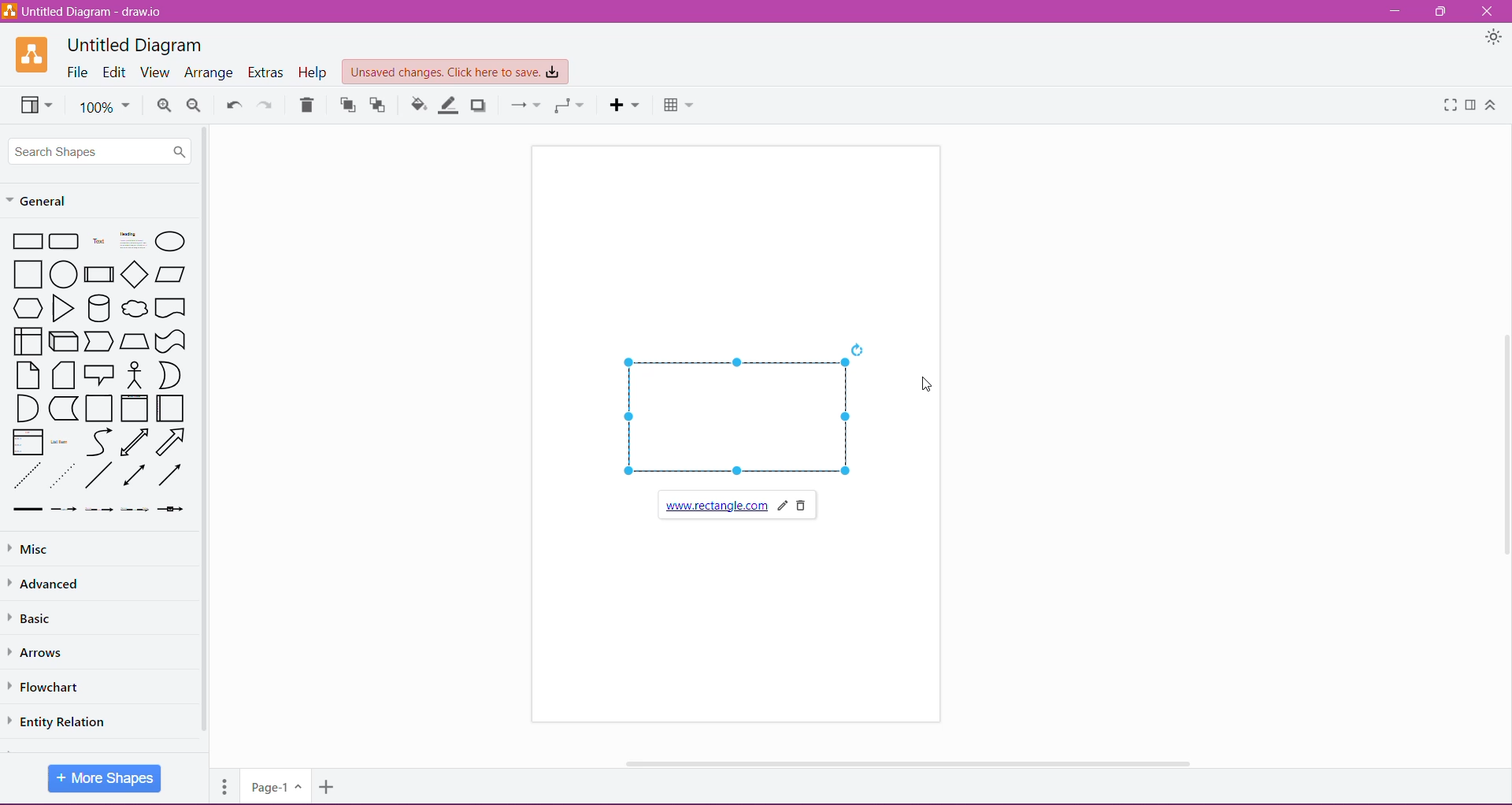  I want to click on Available shapes under Genera category, so click(98, 372).